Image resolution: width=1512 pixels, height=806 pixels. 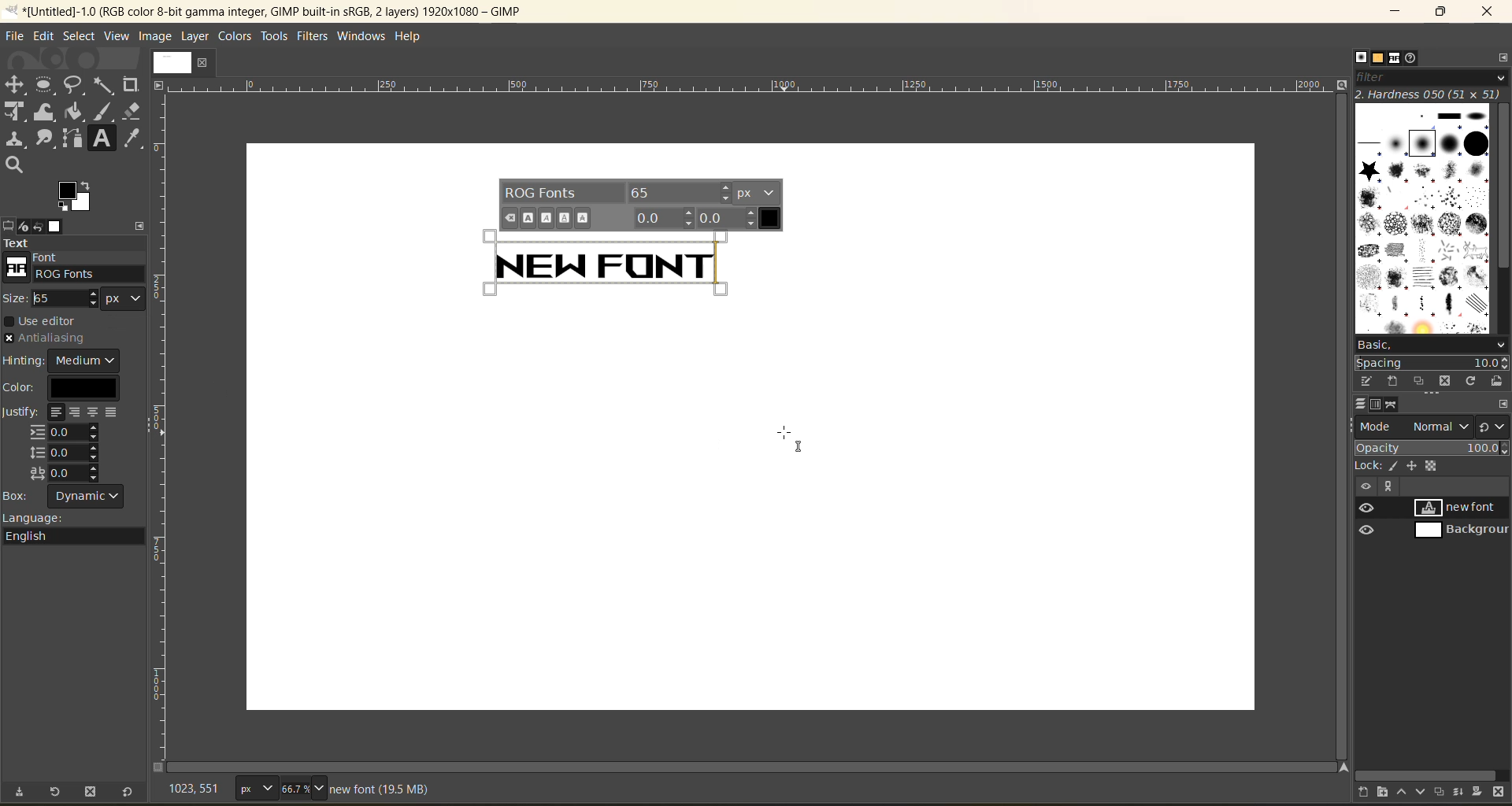 I want to click on current page, so click(x=183, y=61).